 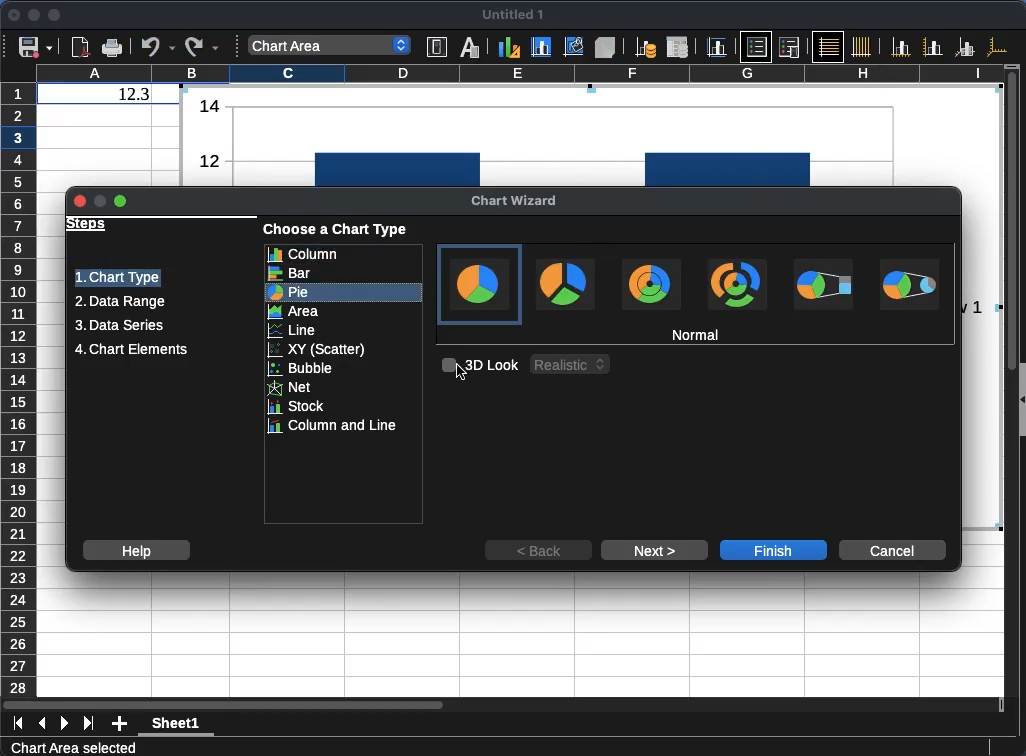 What do you see at coordinates (65, 724) in the screenshot?
I see `next sheet` at bounding box center [65, 724].